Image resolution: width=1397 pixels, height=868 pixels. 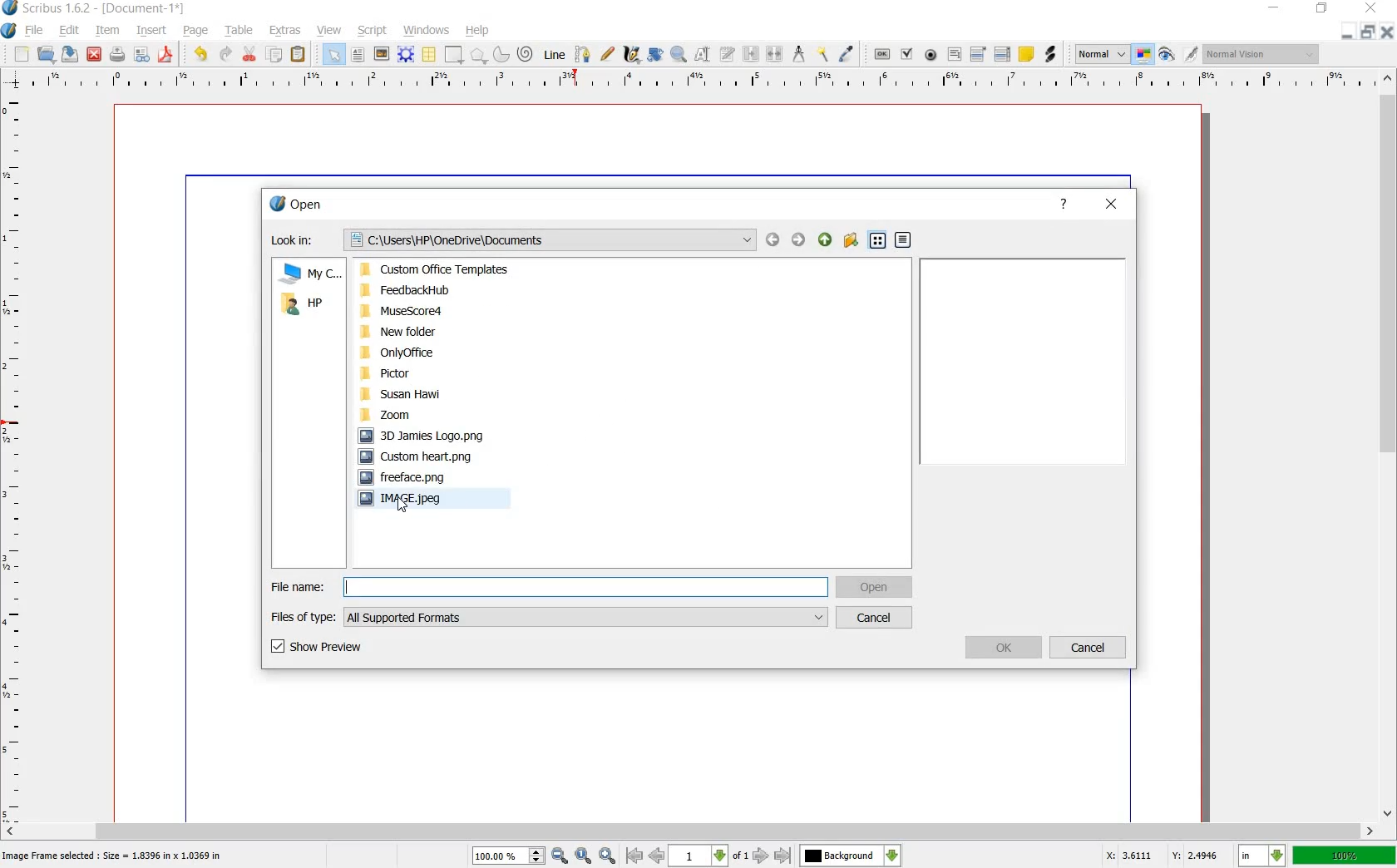 I want to click on new, so click(x=19, y=55).